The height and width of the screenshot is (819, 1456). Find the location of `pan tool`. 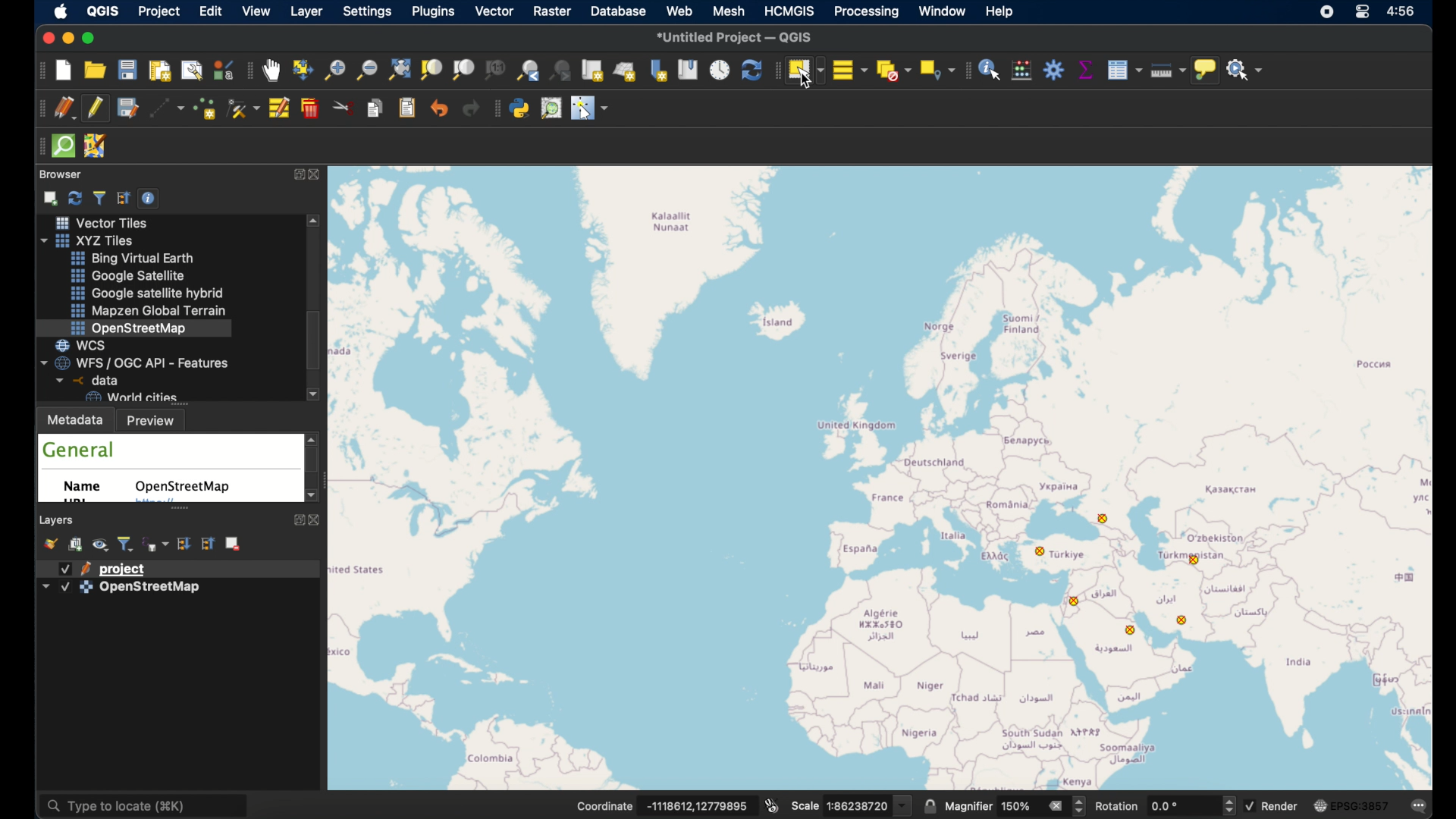

pan tool is located at coordinates (271, 71).